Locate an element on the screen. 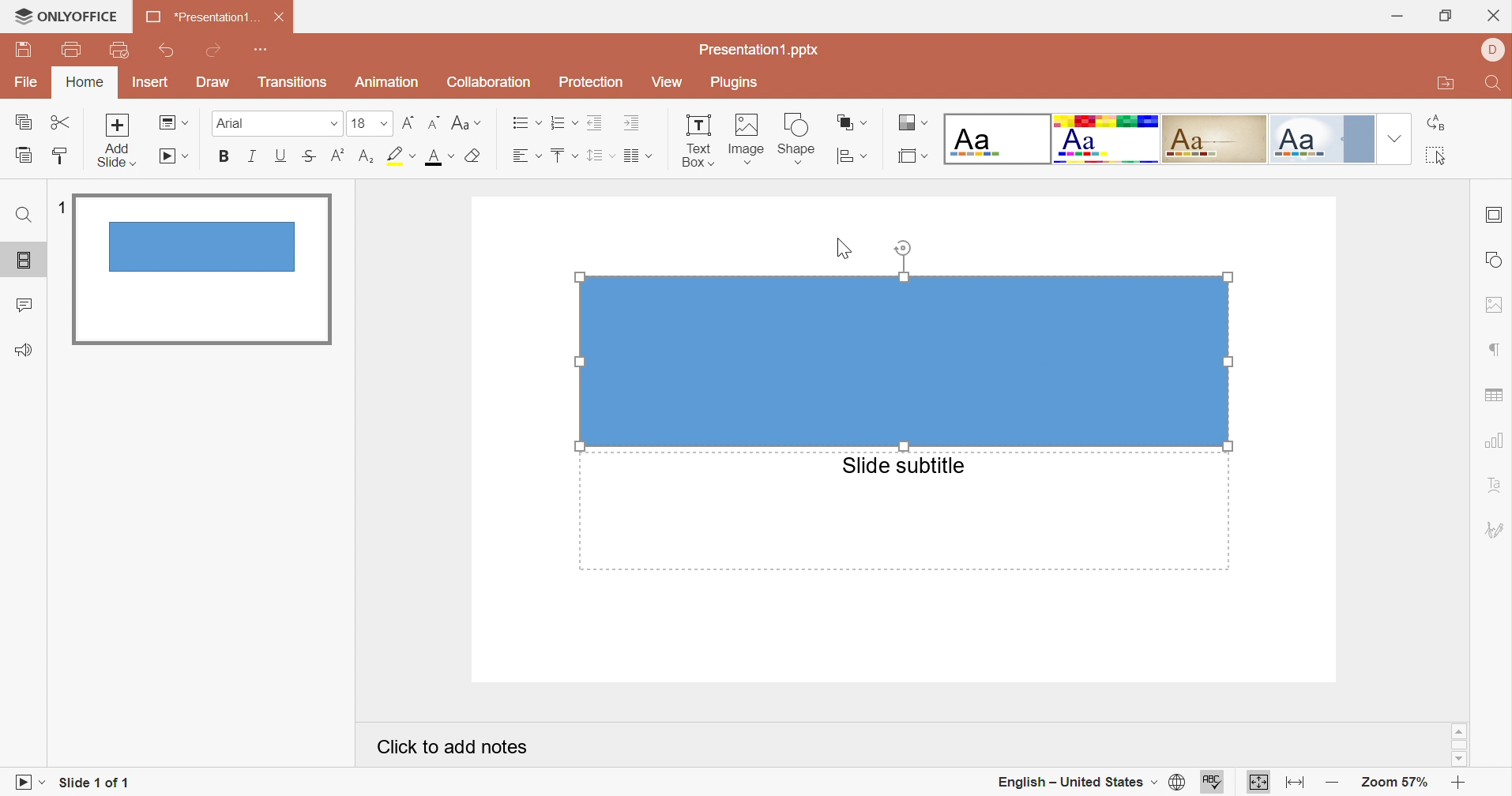  Slide subtitle is located at coordinates (901, 465).